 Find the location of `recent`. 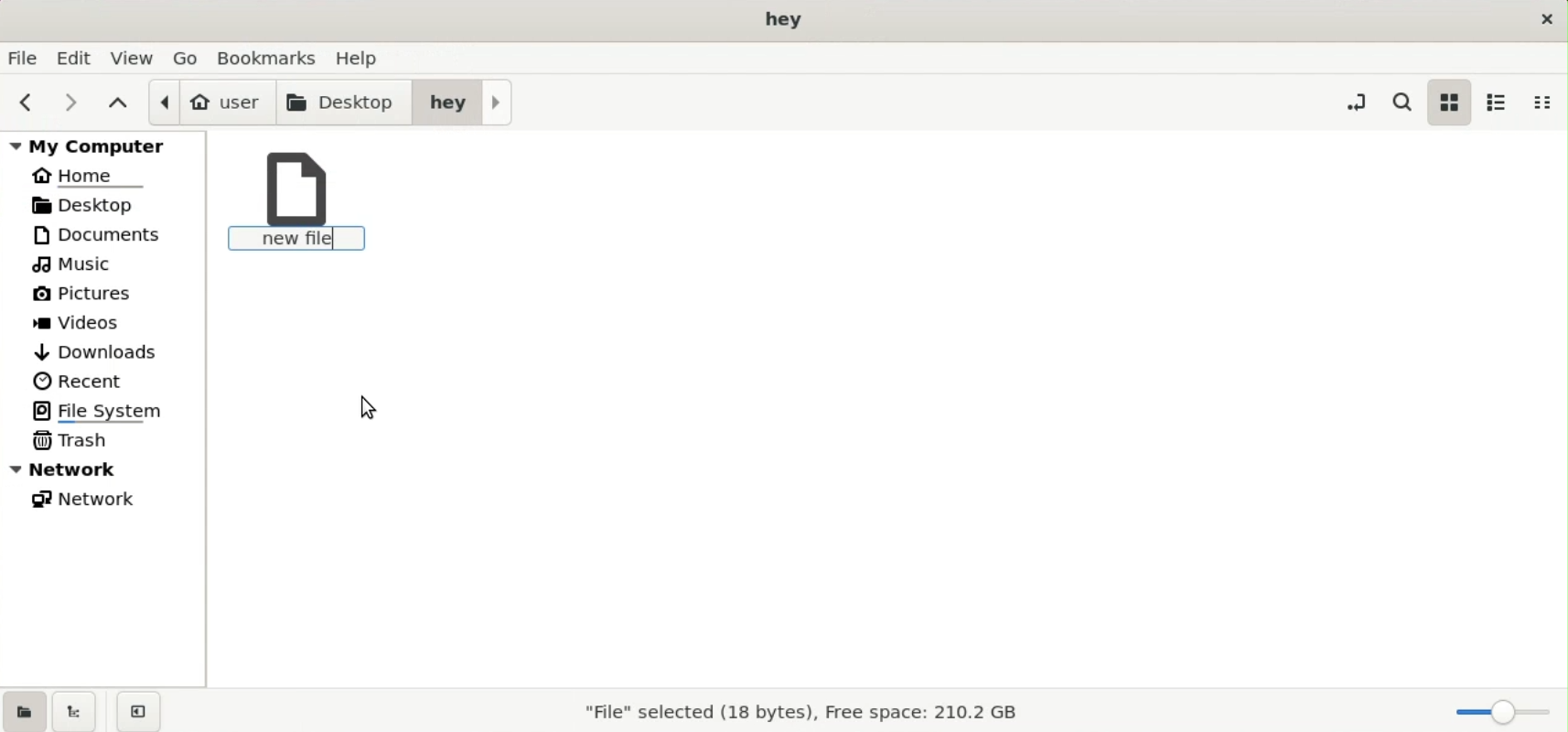

recent is located at coordinates (80, 381).